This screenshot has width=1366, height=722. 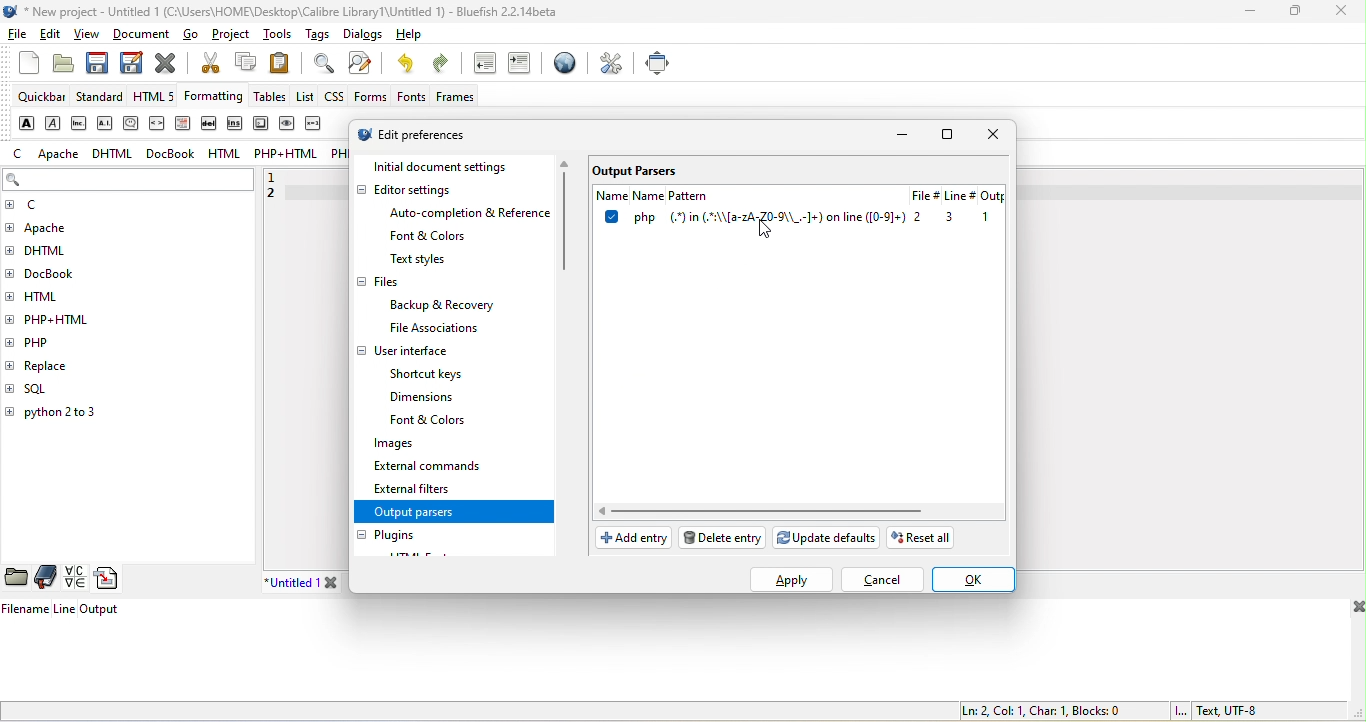 What do you see at coordinates (1039, 710) in the screenshot?
I see `ln 2, col 1, char 1, blocks 0` at bounding box center [1039, 710].